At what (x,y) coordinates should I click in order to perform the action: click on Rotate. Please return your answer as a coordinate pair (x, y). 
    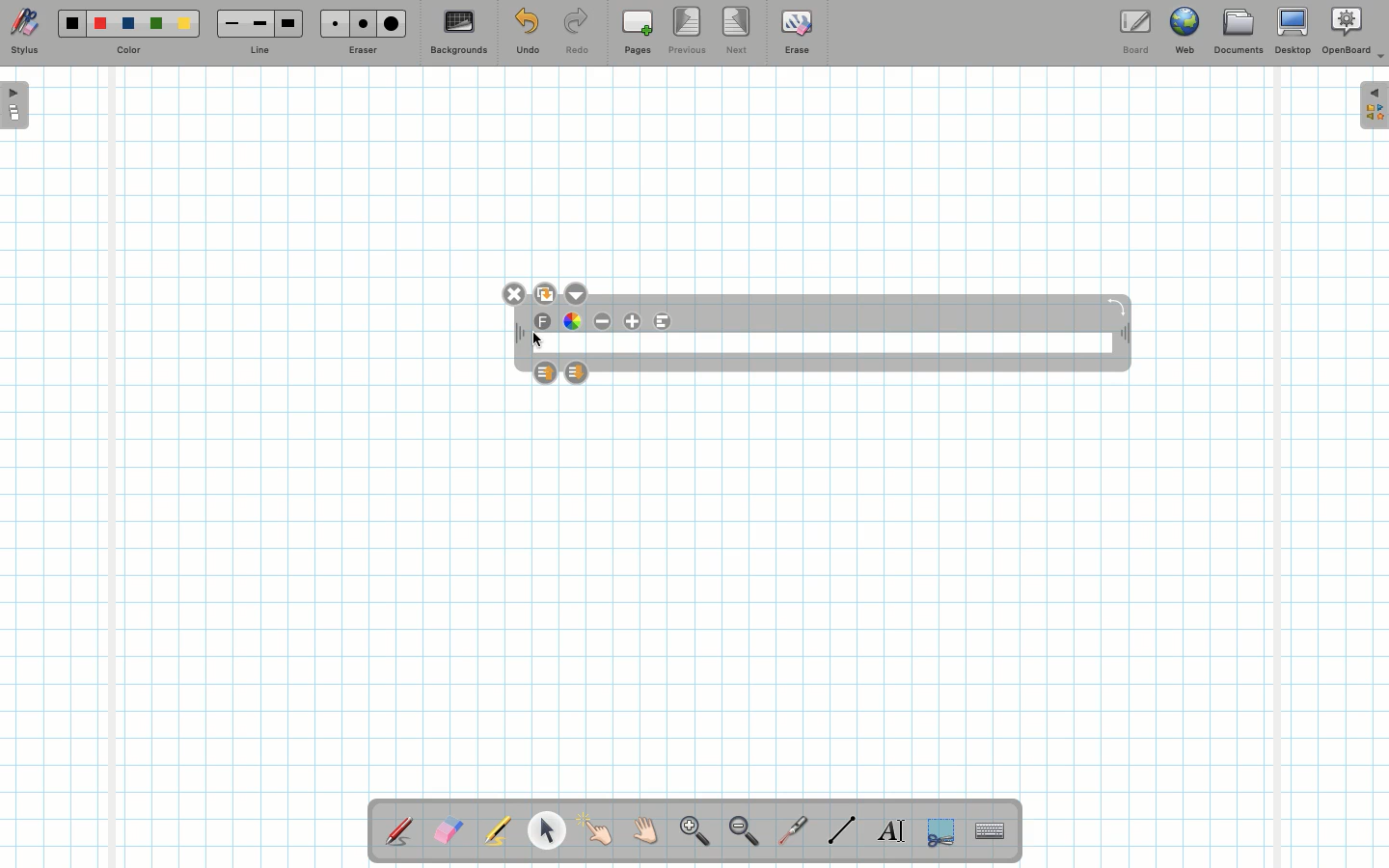
    Looking at the image, I should click on (1116, 306).